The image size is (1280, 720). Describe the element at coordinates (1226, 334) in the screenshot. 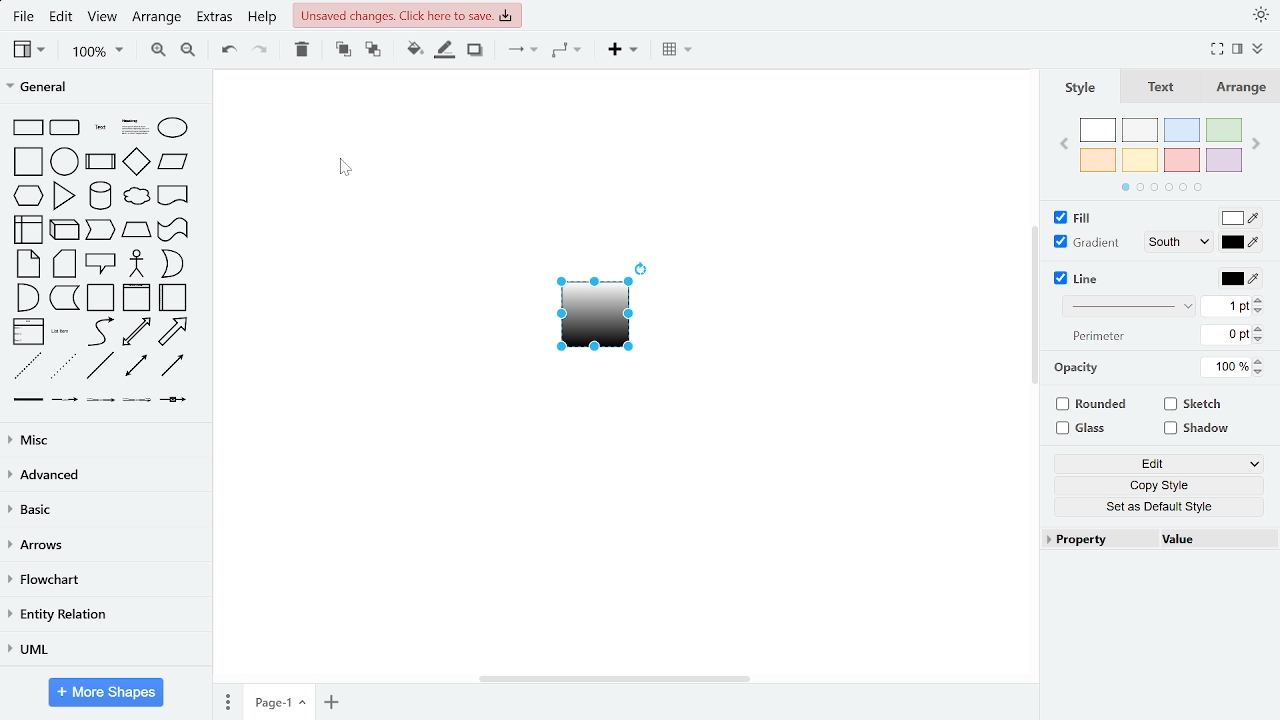

I see `current perimeter` at that location.